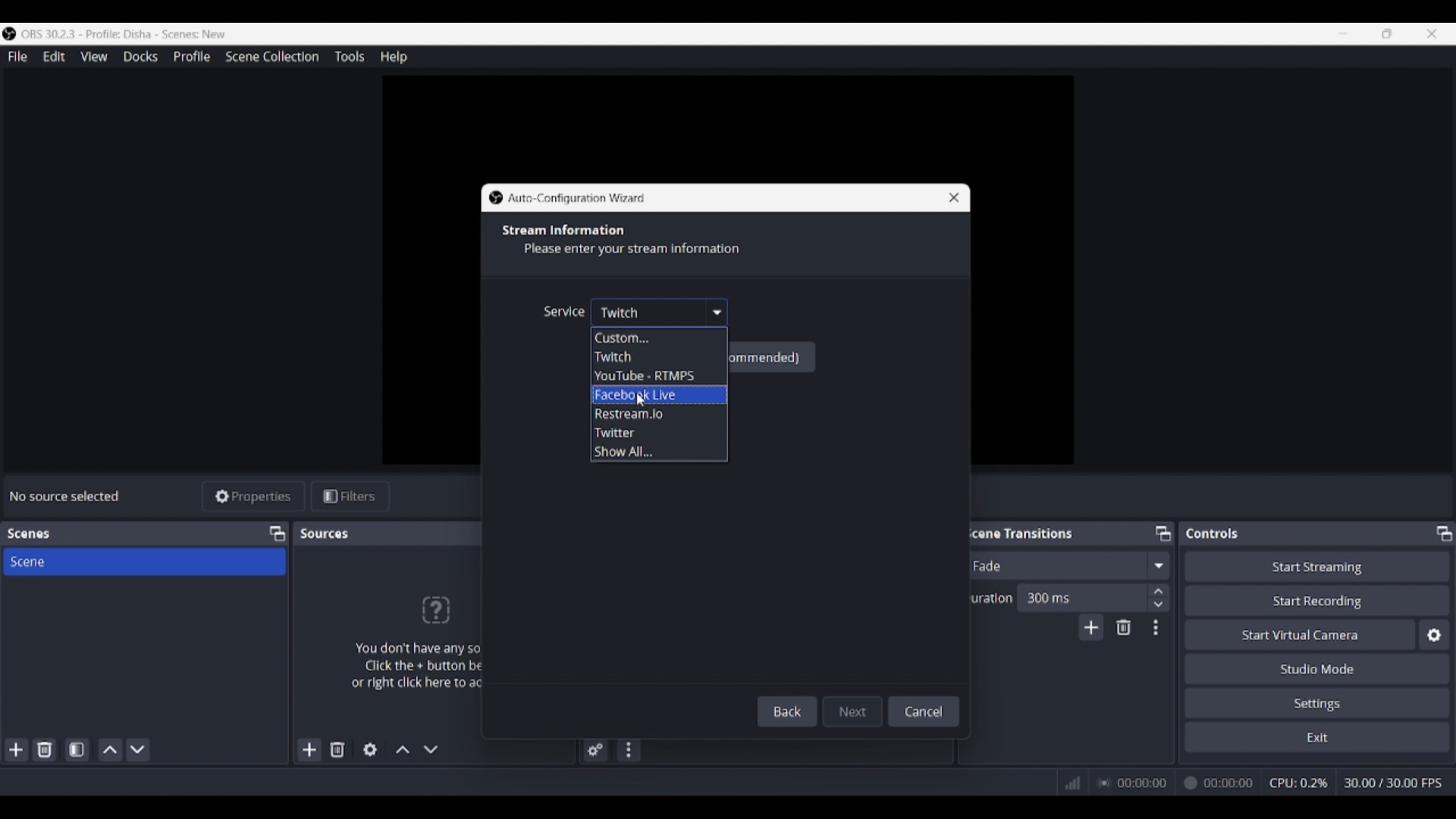 The width and height of the screenshot is (1456, 819). I want to click on Move scene up, so click(111, 750).